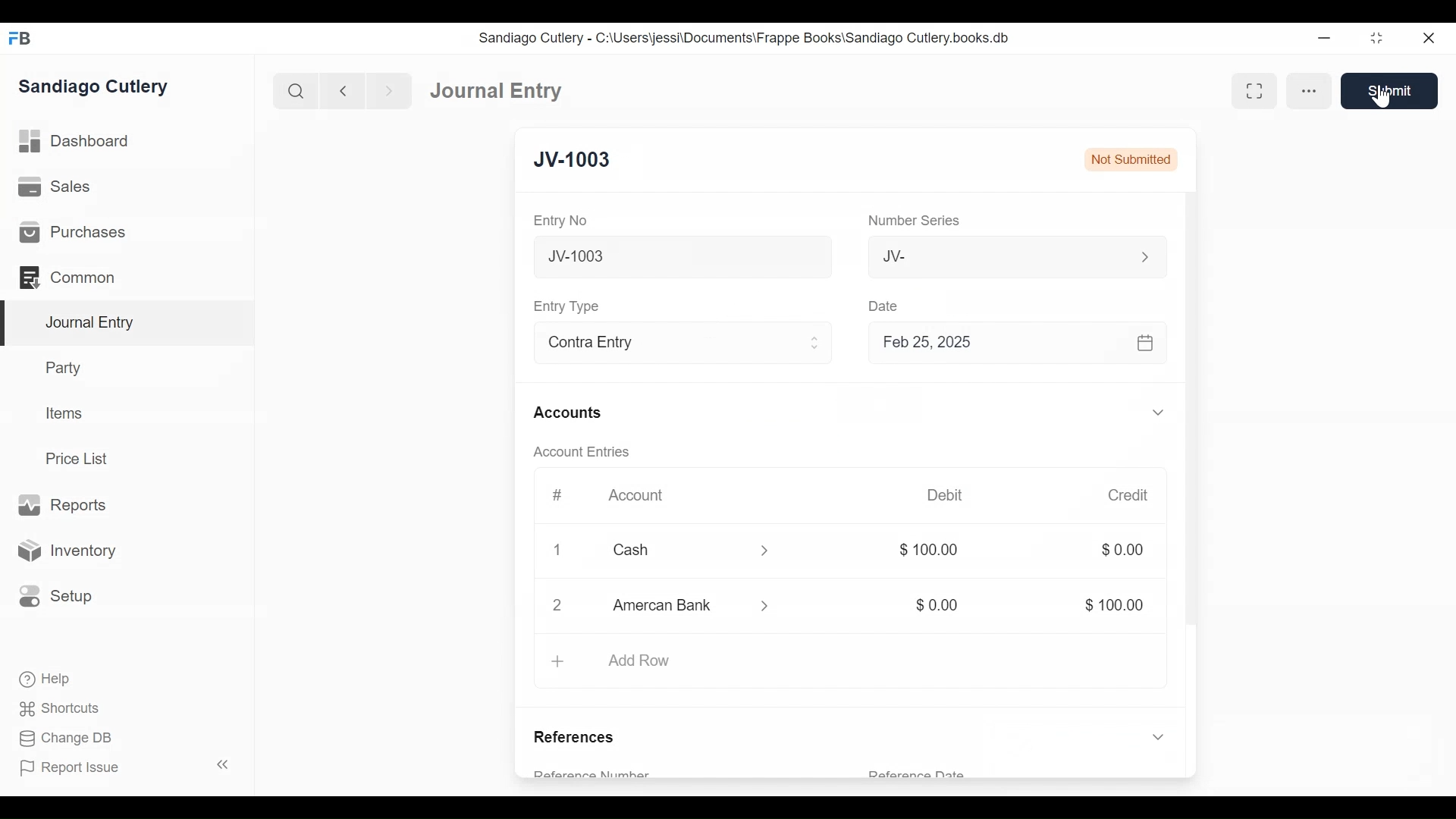 The width and height of the screenshot is (1456, 819). Describe the element at coordinates (61, 504) in the screenshot. I see `Reports` at that location.